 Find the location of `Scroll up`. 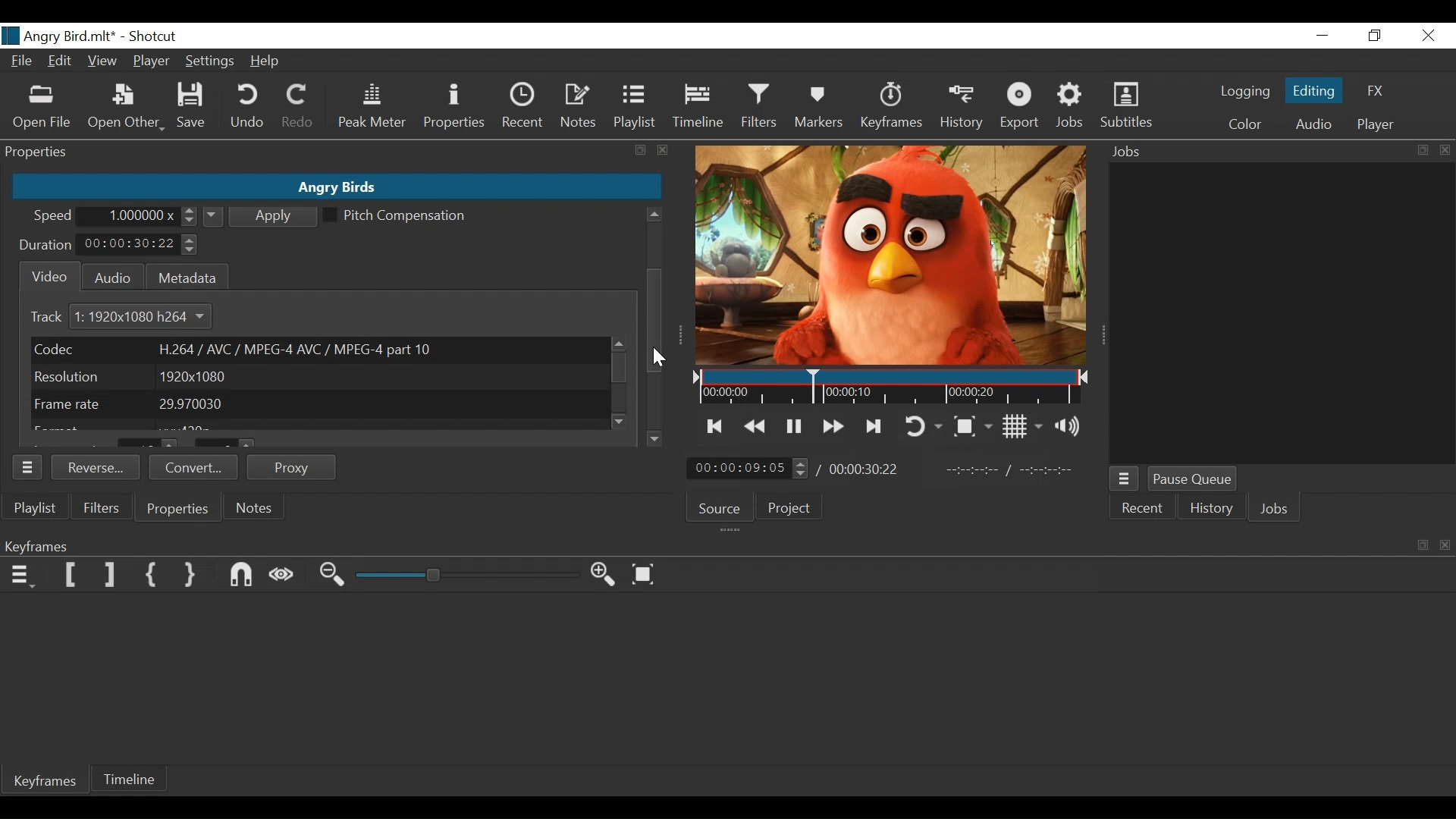

Scroll up is located at coordinates (654, 215).